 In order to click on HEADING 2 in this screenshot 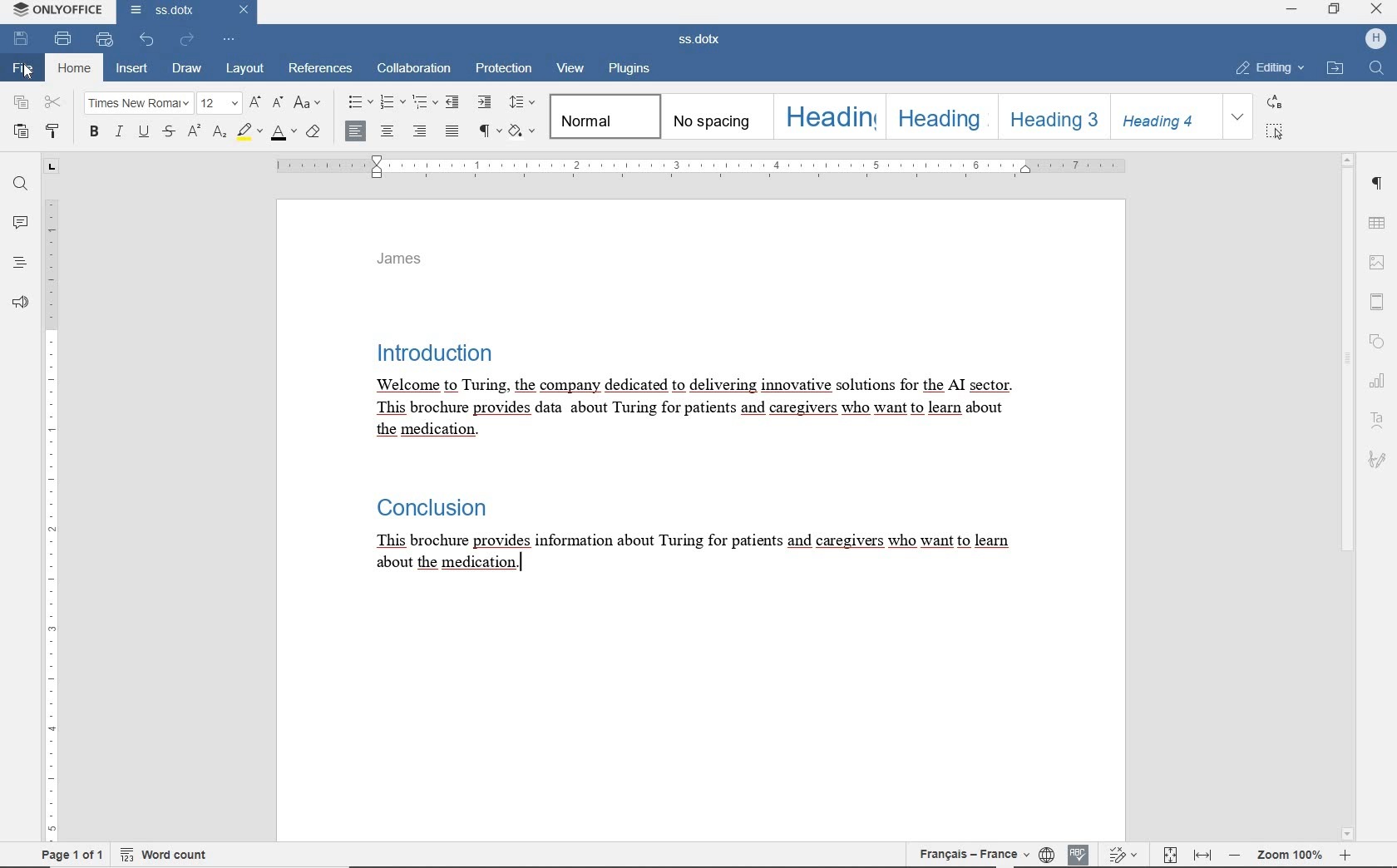, I will do `click(940, 116)`.